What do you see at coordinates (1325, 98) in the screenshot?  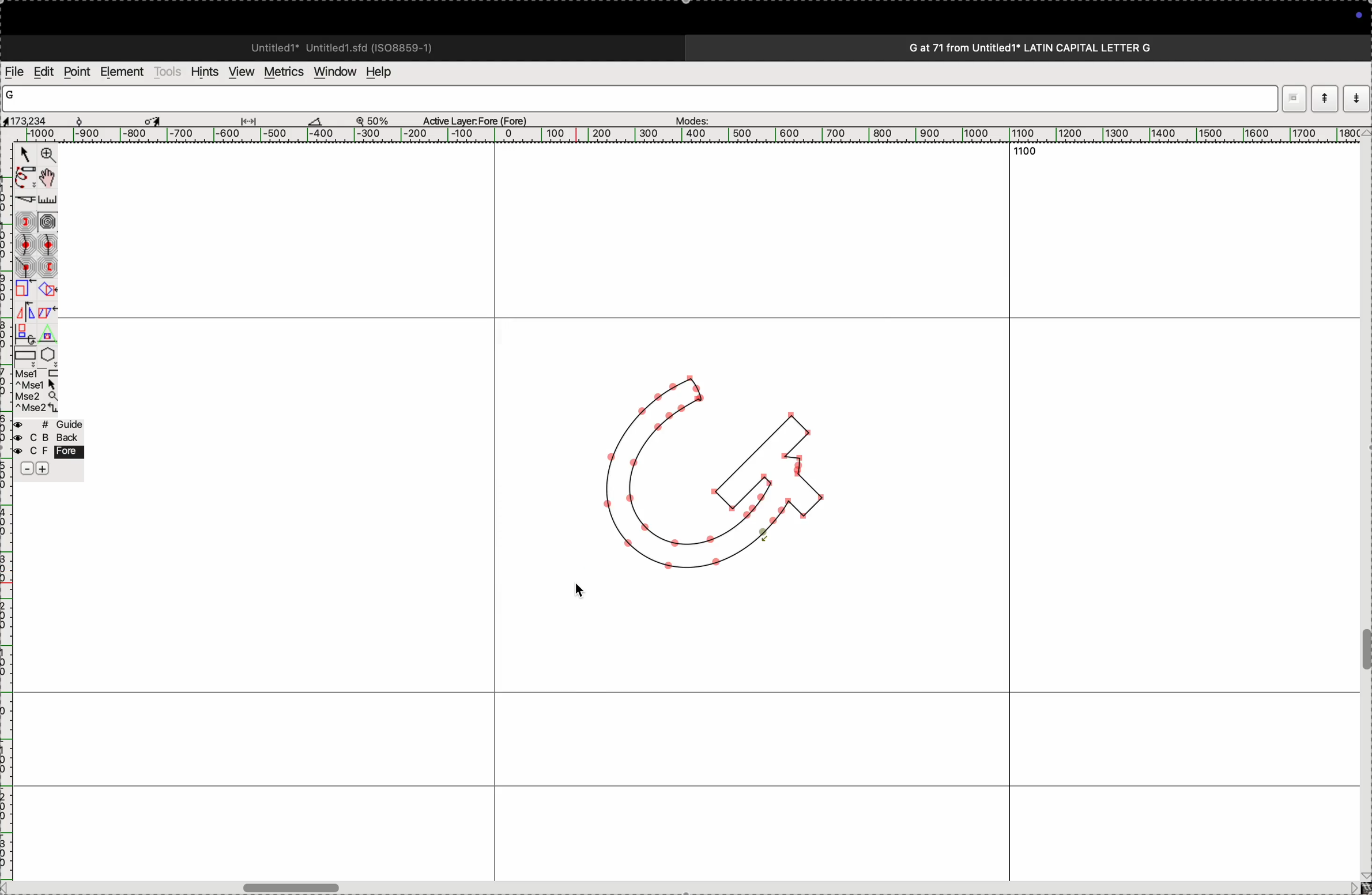 I see `show current word list` at bounding box center [1325, 98].